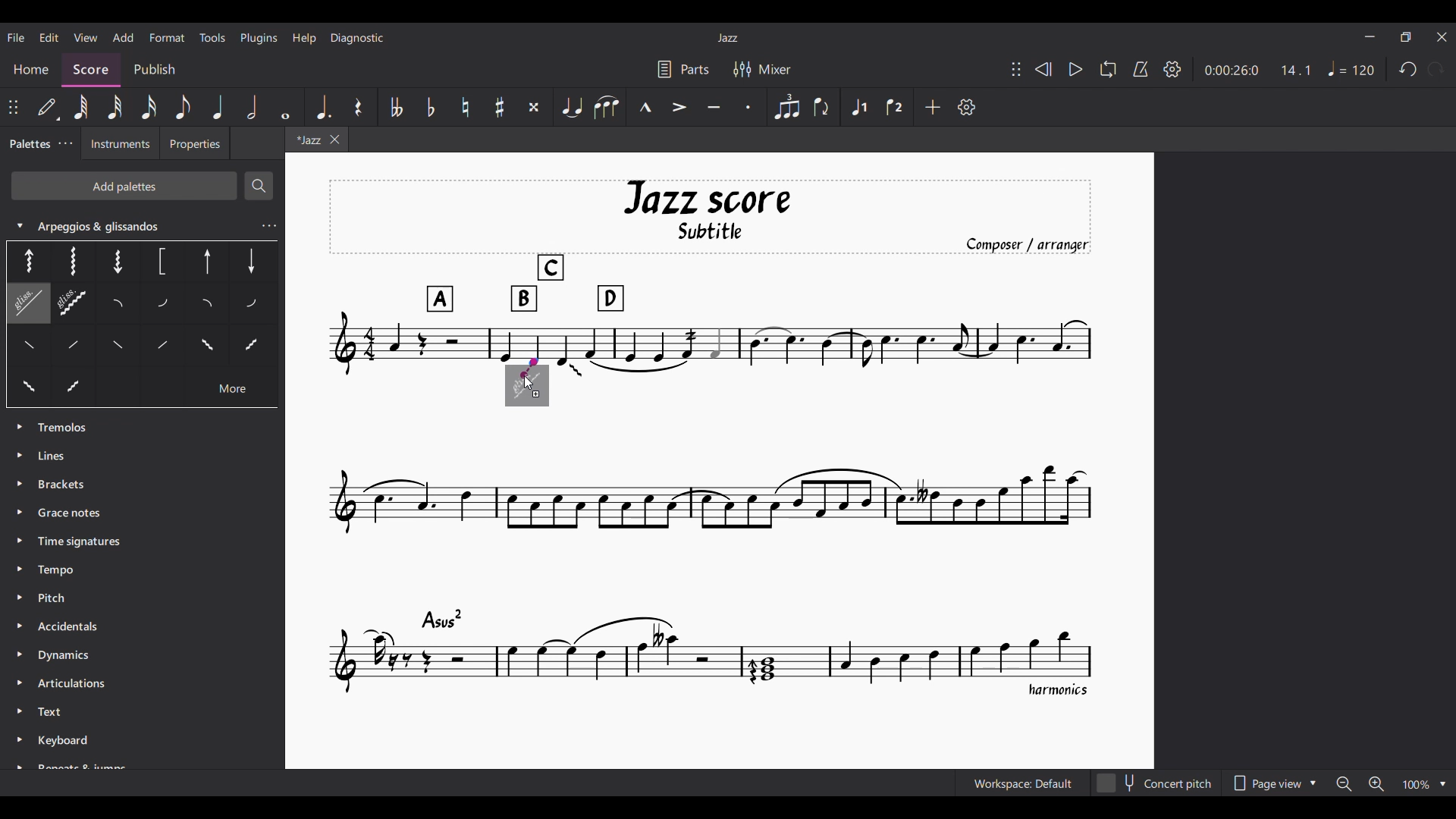 The height and width of the screenshot is (819, 1456). What do you see at coordinates (305, 38) in the screenshot?
I see `Help menu` at bounding box center [305, 38].